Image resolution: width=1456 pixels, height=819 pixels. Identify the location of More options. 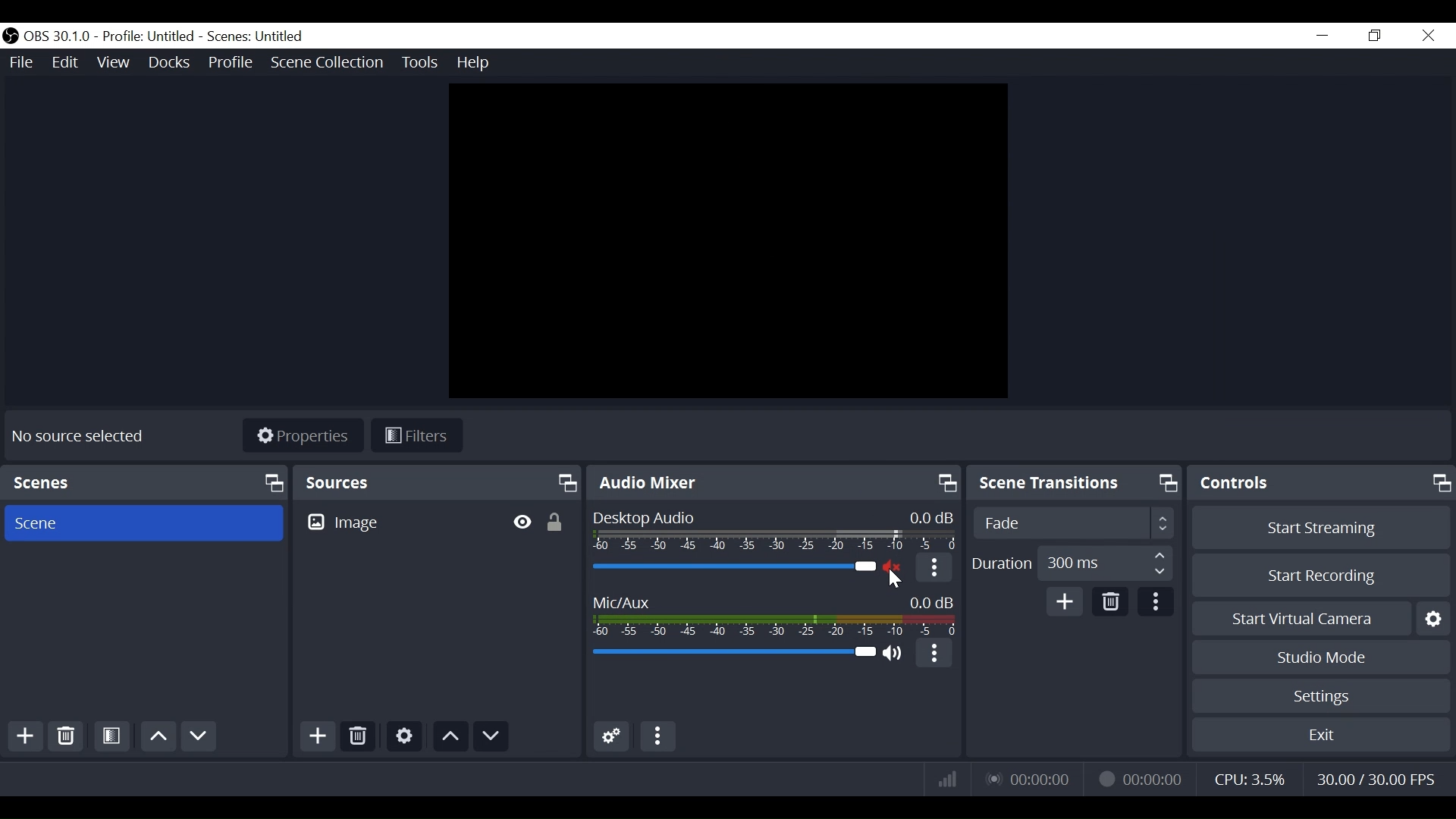
(661, 739).